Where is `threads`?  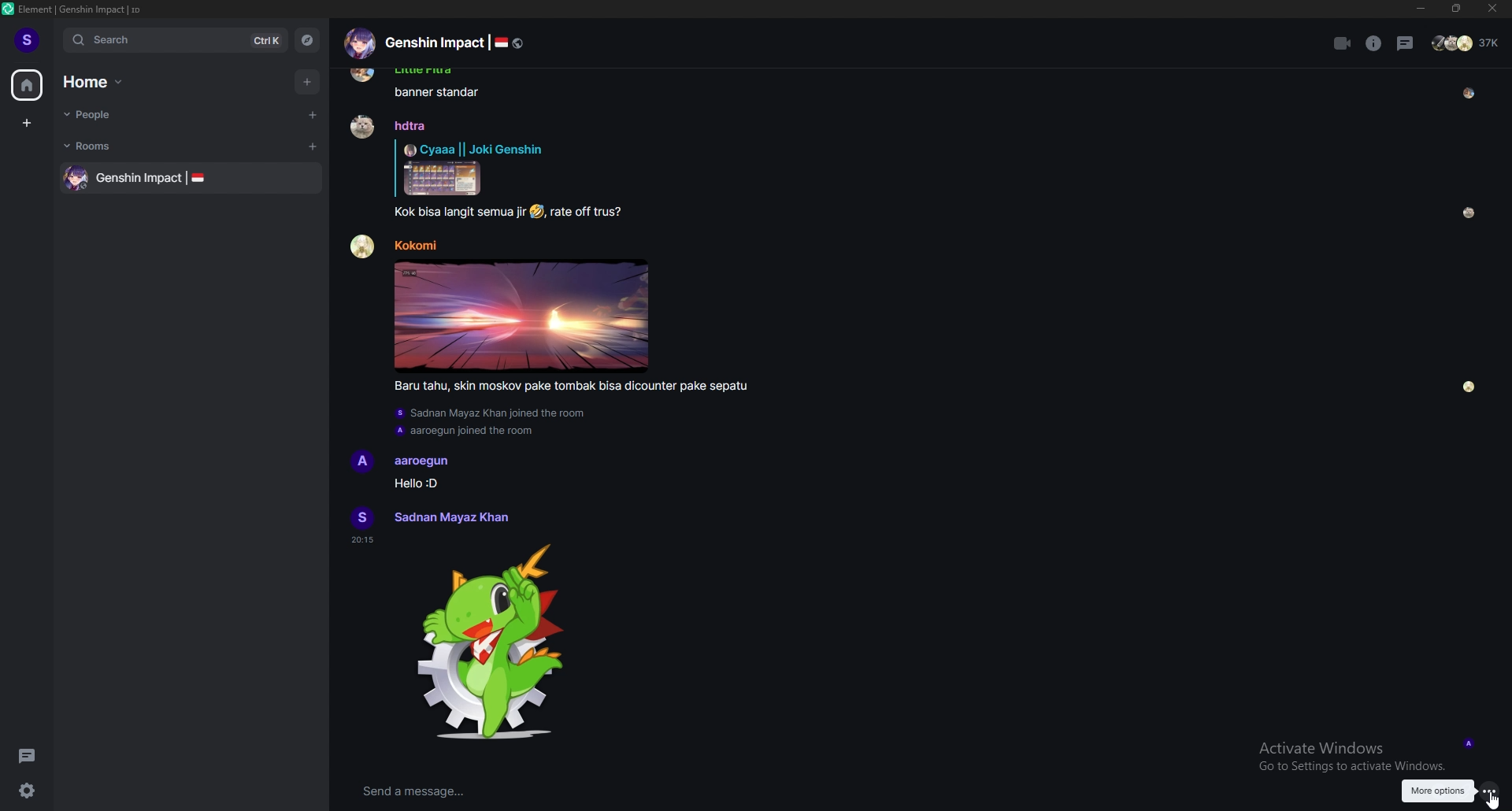
threads is located at coordinates (1406, 43).